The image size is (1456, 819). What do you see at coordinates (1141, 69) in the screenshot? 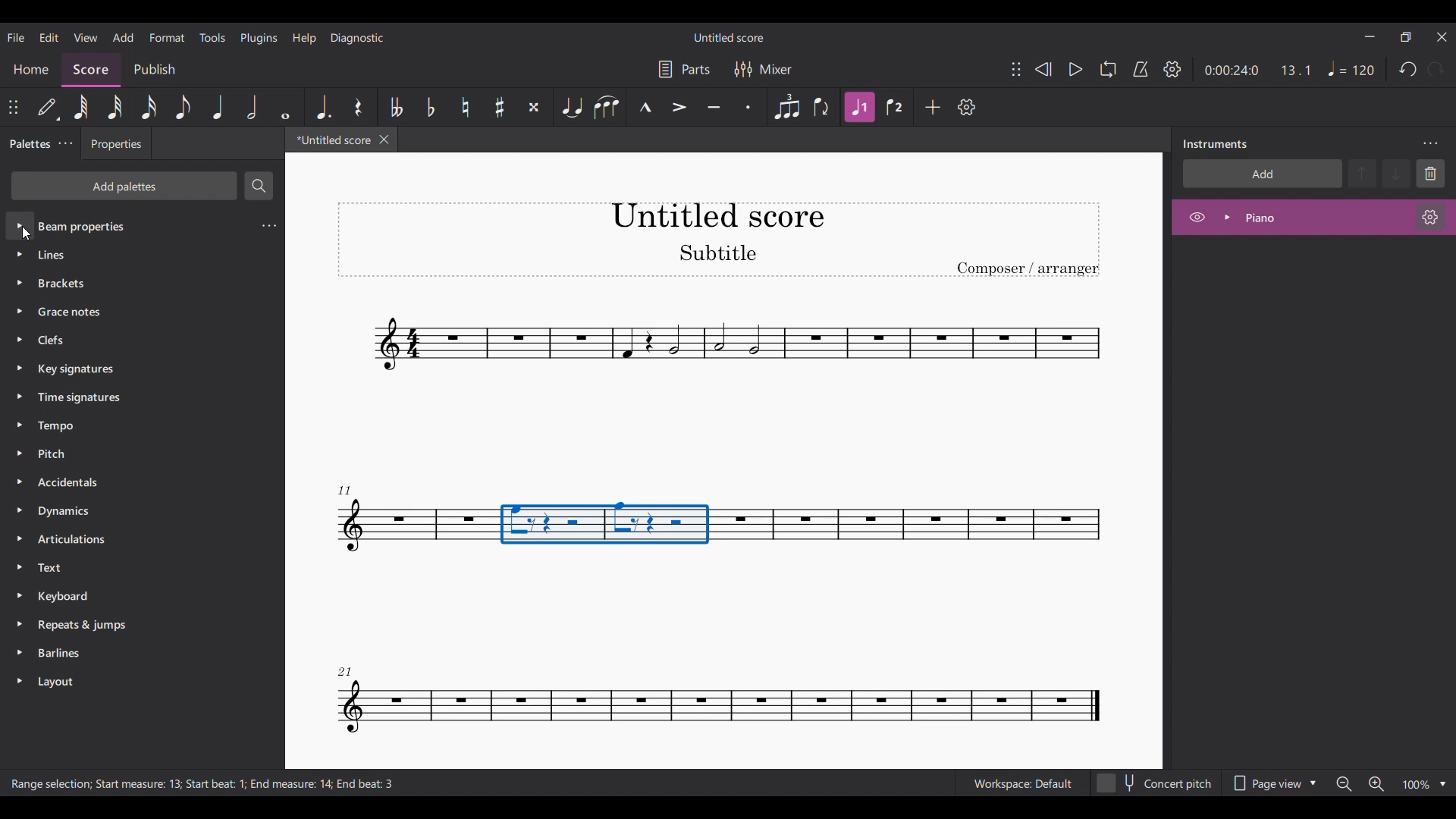
I see `Metronome` at bounding box center [1141, 69].